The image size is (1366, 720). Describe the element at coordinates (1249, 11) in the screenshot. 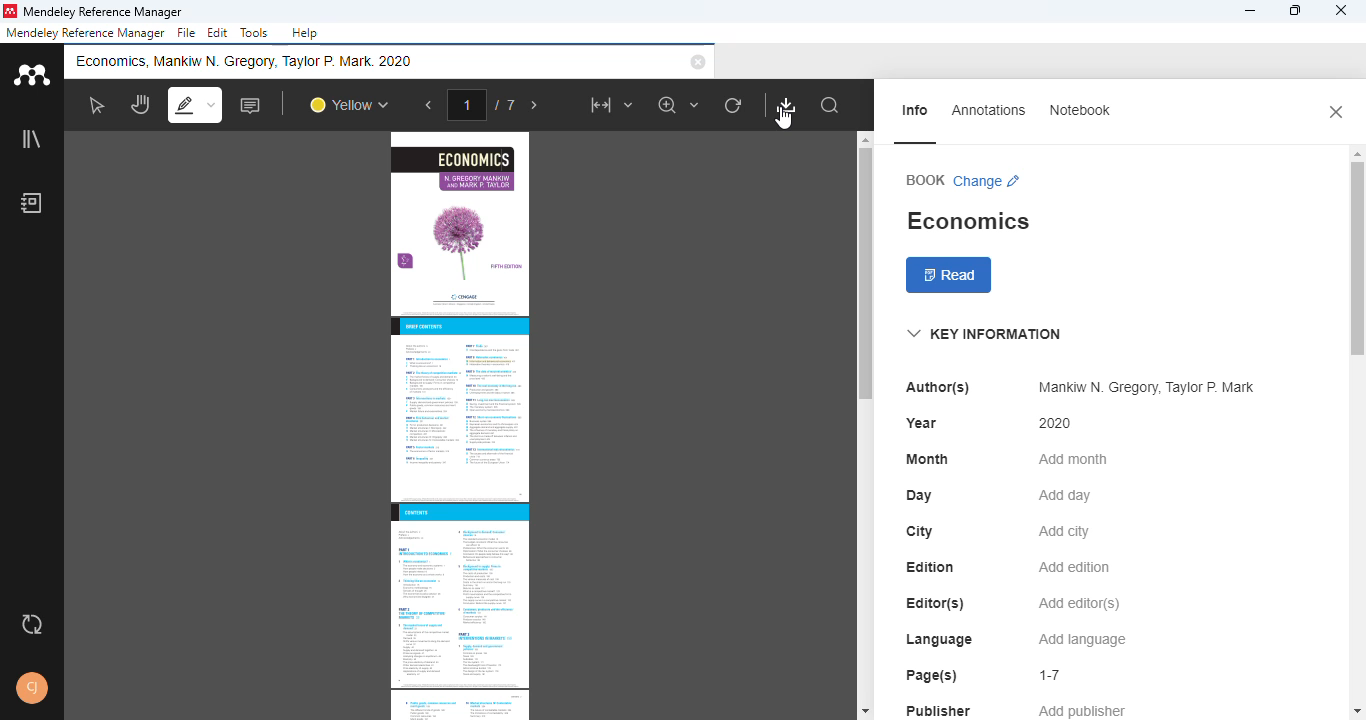

I see `minimize` at that location.